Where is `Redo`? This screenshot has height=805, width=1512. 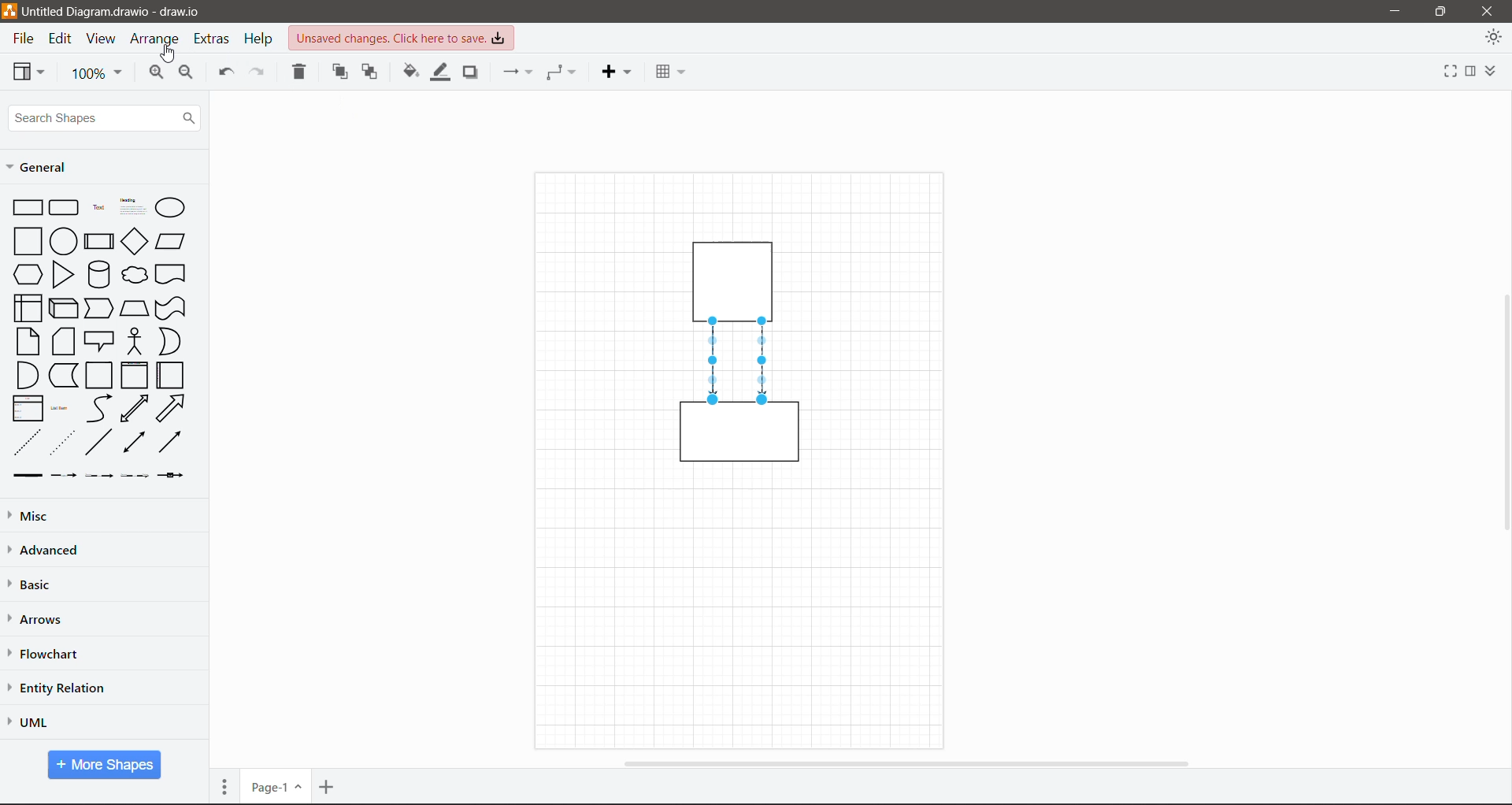
Redo is located at coordinates (260, 73).